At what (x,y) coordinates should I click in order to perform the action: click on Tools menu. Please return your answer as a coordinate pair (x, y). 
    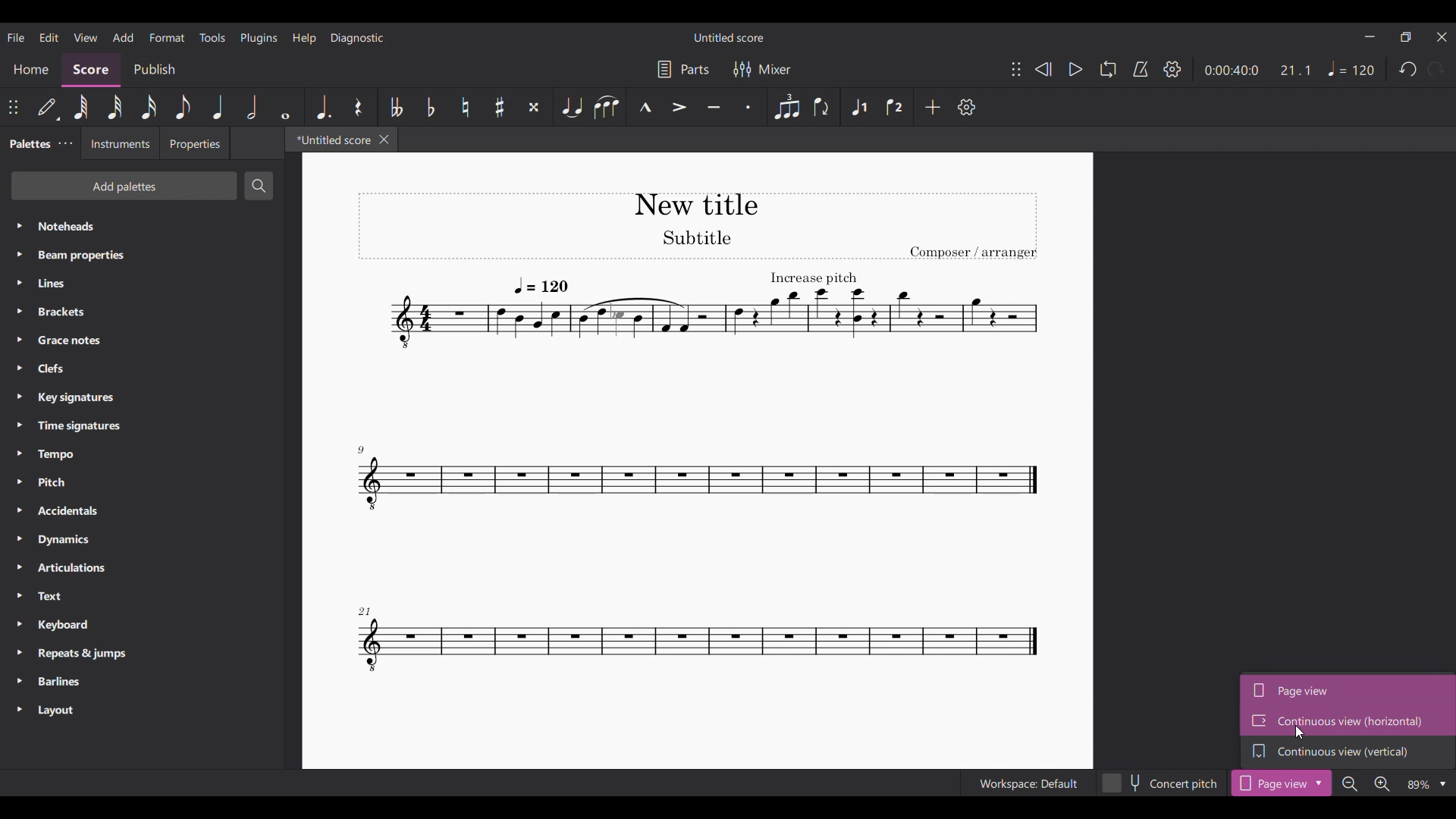
    Looking at the image, I should click on (212, 37).